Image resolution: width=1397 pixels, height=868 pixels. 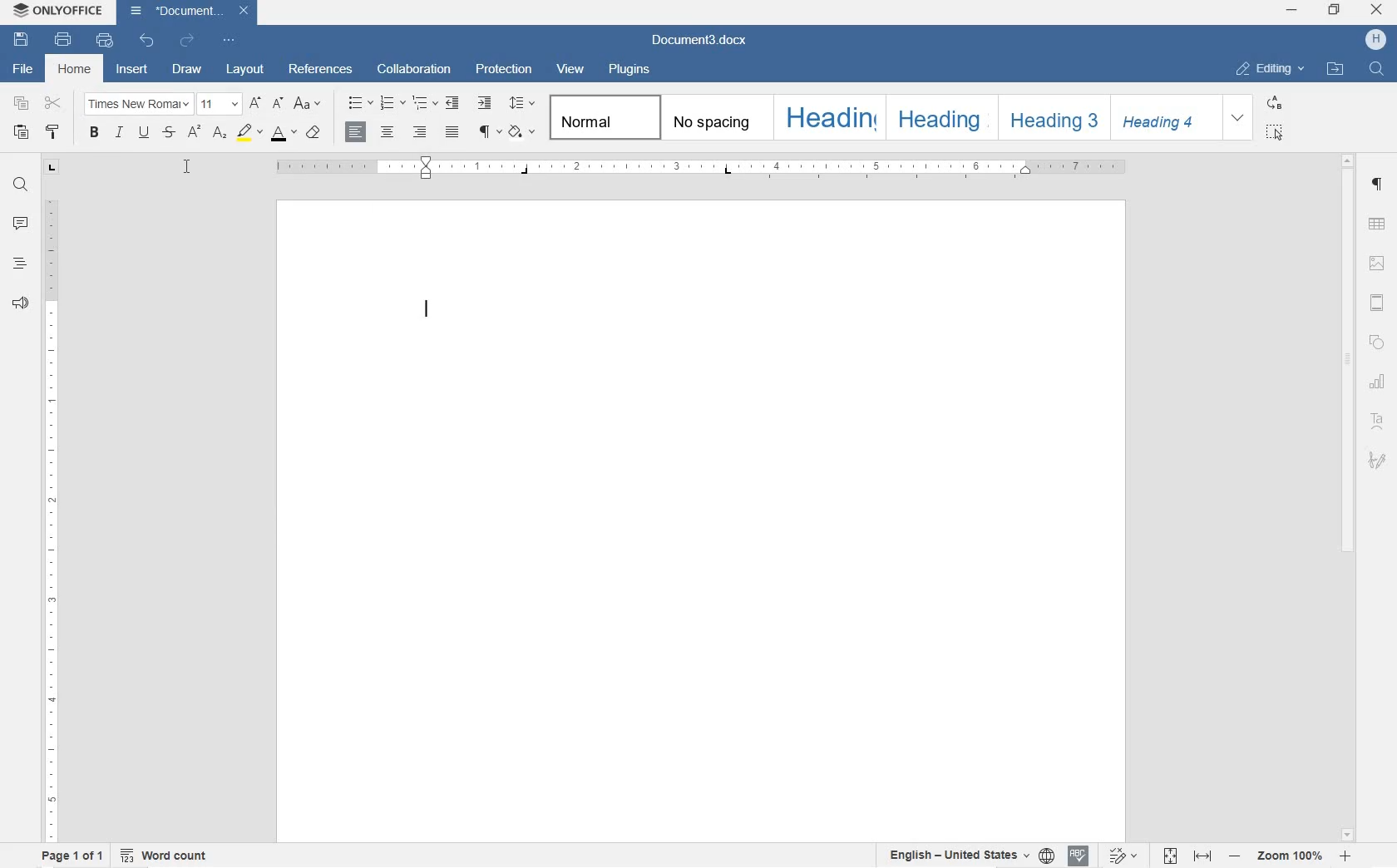 I want to click on RULER, so click(x=51, y=520).